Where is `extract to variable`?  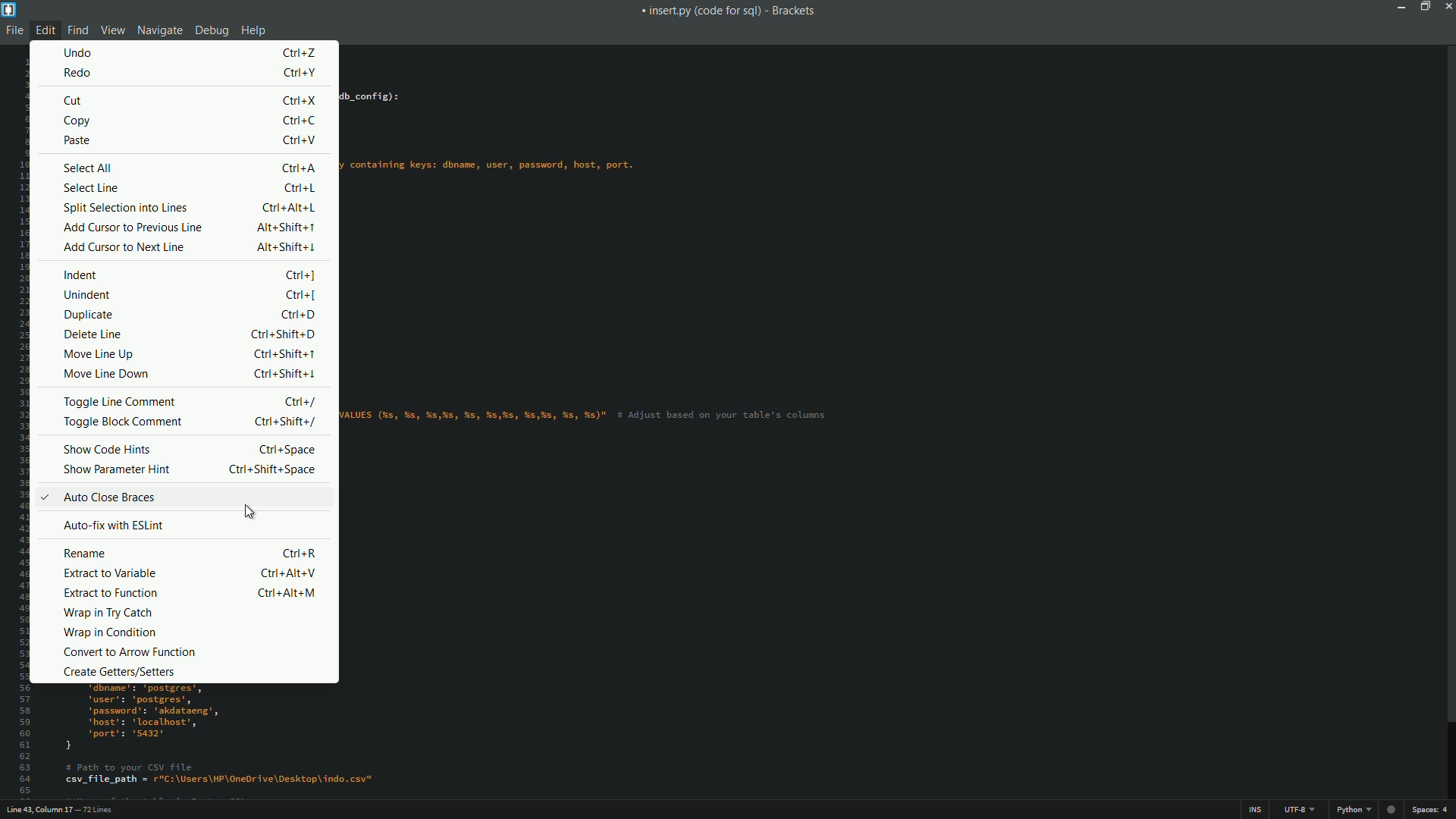 extract to variable is located at coordinates (110, 573).